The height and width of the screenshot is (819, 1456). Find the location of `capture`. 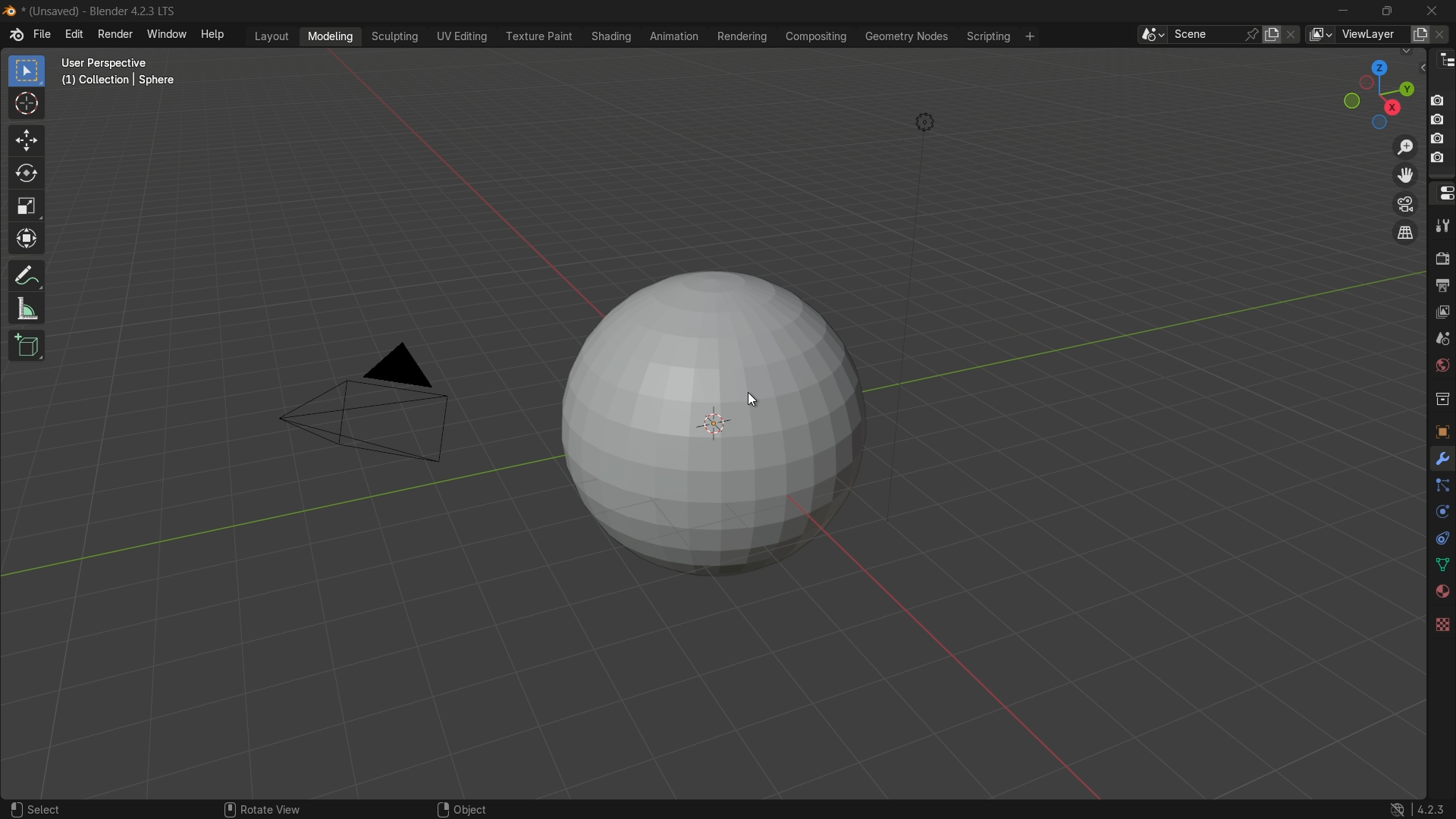

capture is located at coordinates (1439, 95).